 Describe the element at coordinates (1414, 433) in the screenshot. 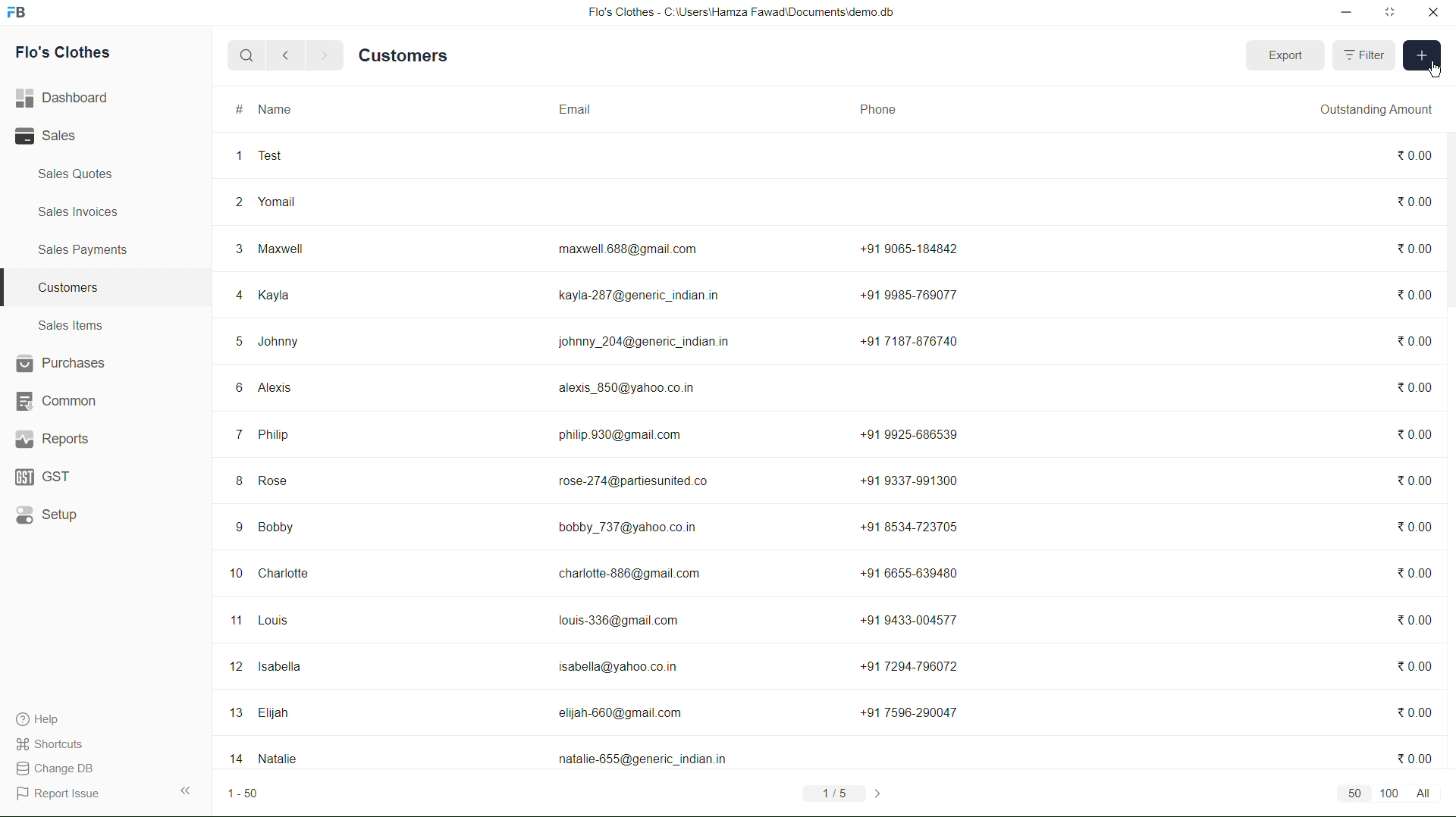

I see `0.00` at that location.